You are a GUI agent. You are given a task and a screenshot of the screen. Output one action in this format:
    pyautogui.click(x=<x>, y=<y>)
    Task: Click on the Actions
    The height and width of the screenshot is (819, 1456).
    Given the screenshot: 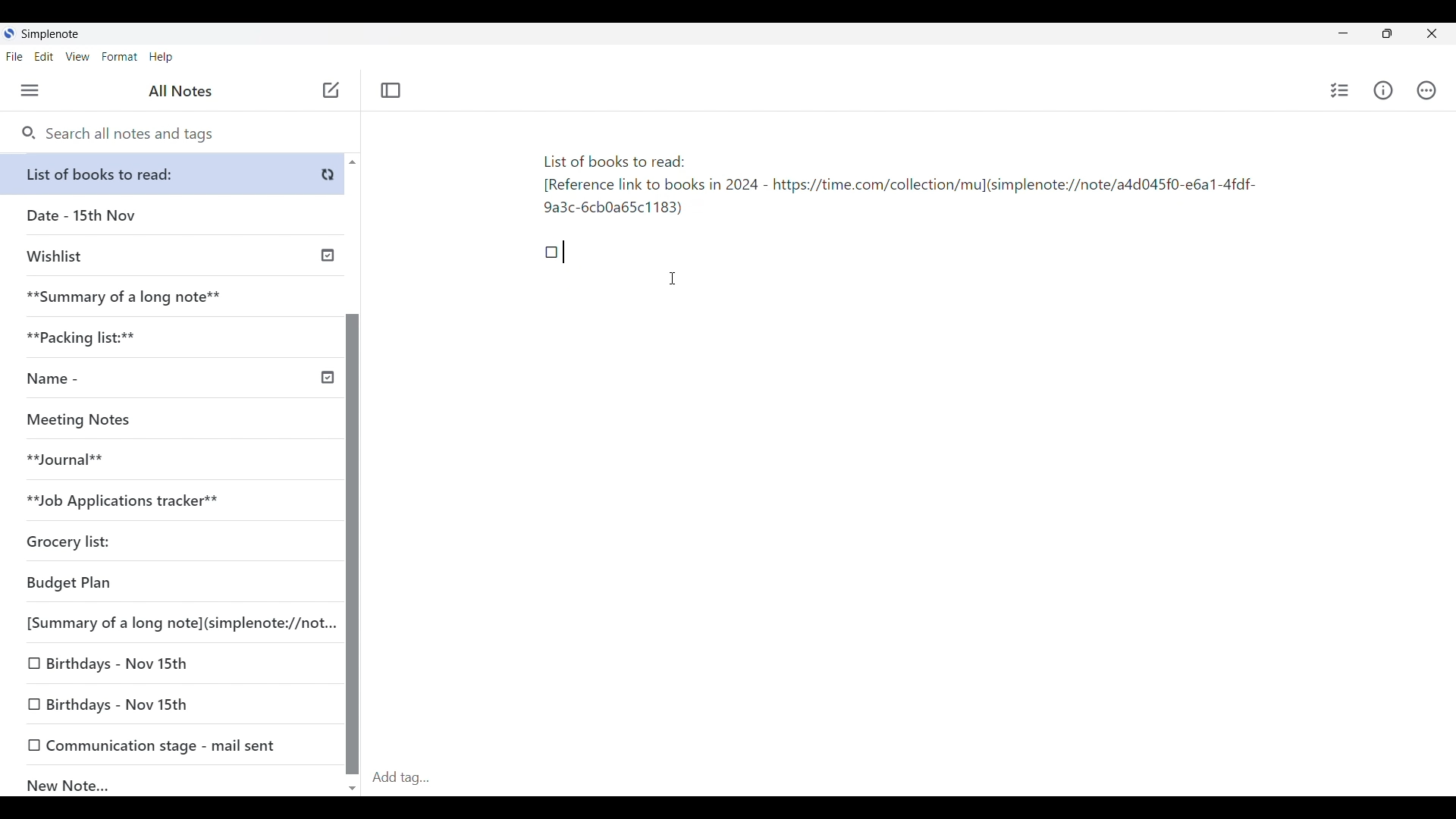 What is the action you would take?
    pyautogui.click(x=1426, y=90)
    